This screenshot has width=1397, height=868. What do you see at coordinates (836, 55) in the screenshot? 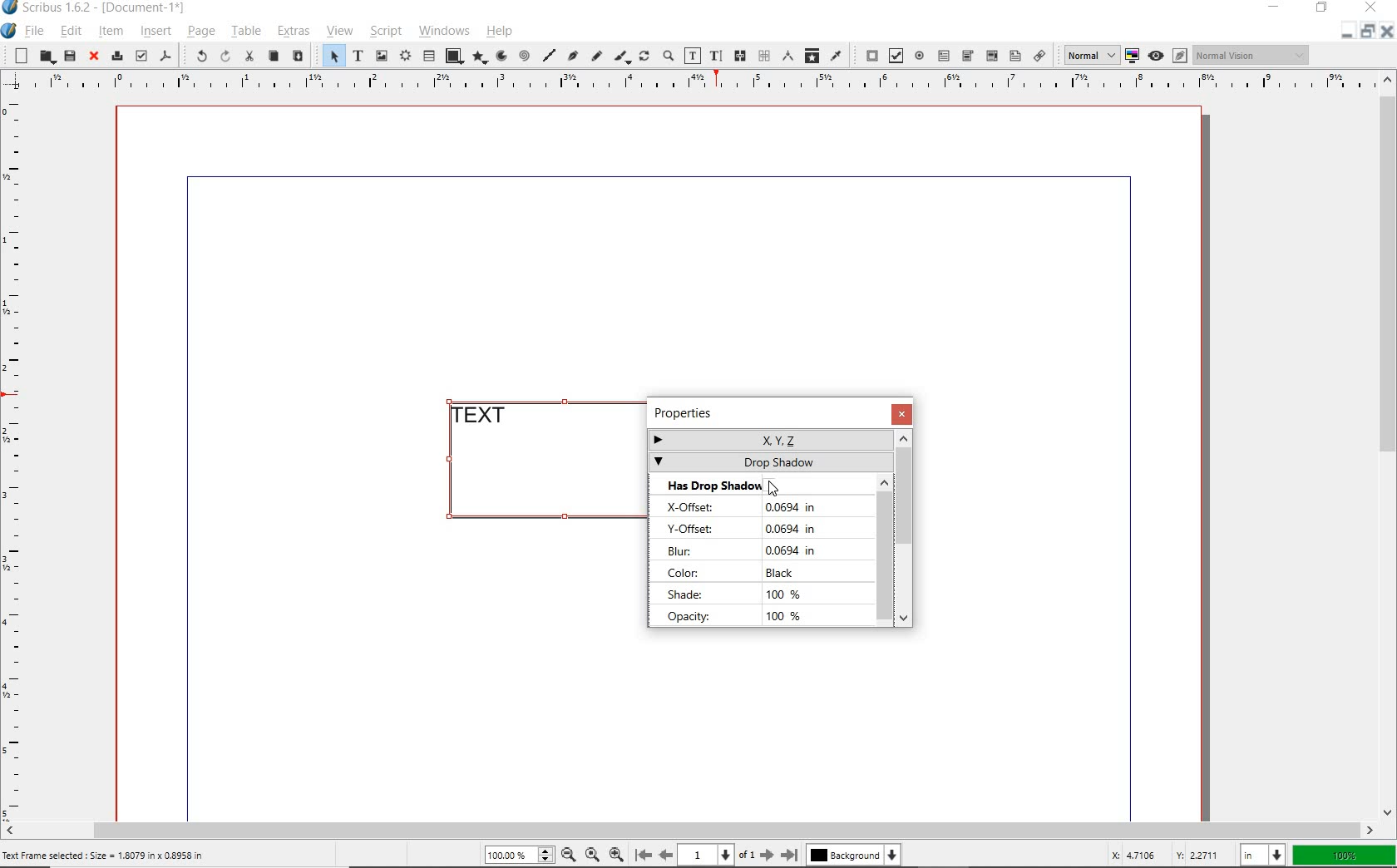
I see `eye dropper` at bounding box center [836, 55].